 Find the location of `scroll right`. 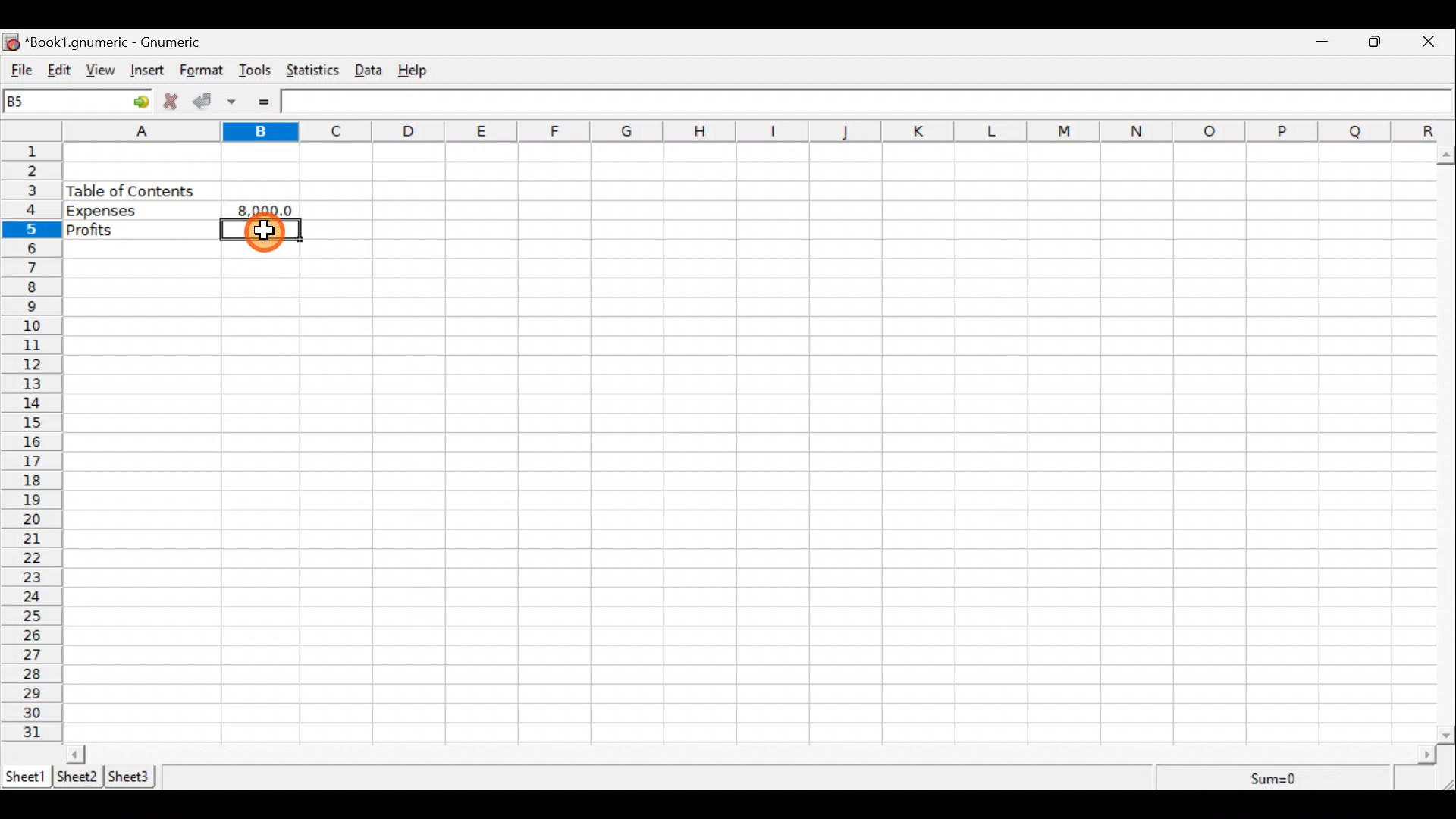

scroll right is located at coordinates (1426, 755).